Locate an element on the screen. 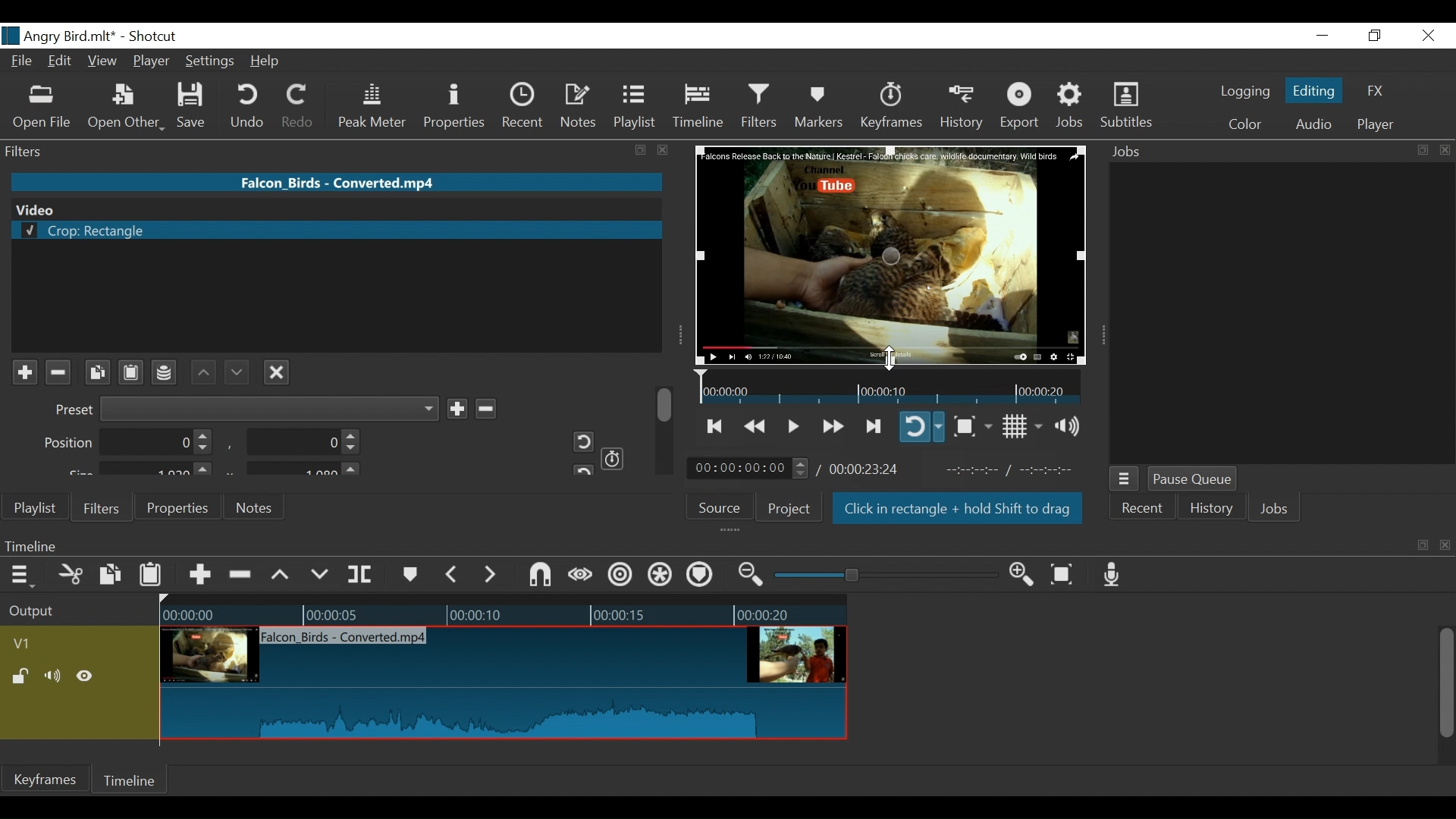  Copy is located at coordinates (112, 577).